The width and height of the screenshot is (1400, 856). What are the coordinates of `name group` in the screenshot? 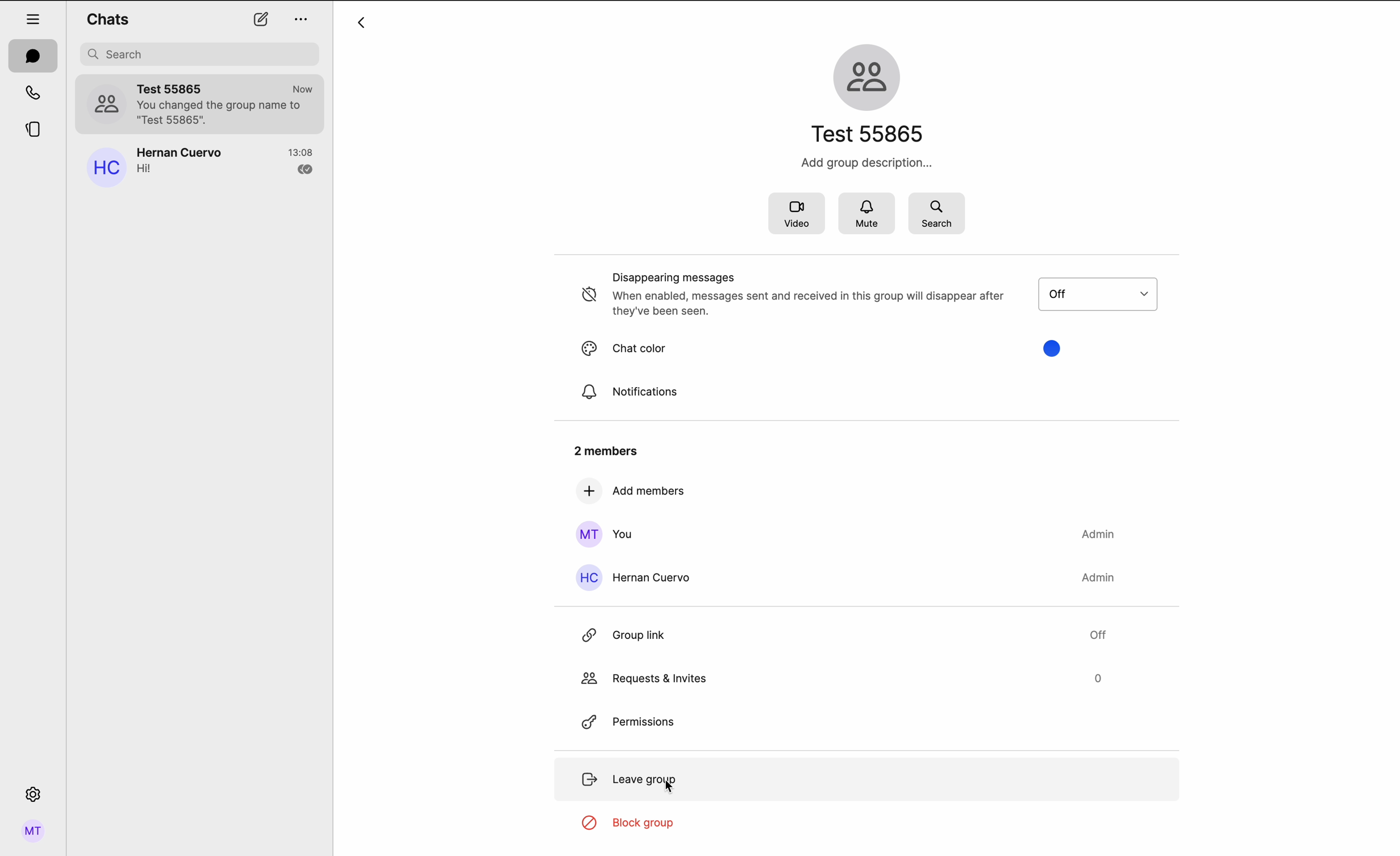 It's located at (872, 134).